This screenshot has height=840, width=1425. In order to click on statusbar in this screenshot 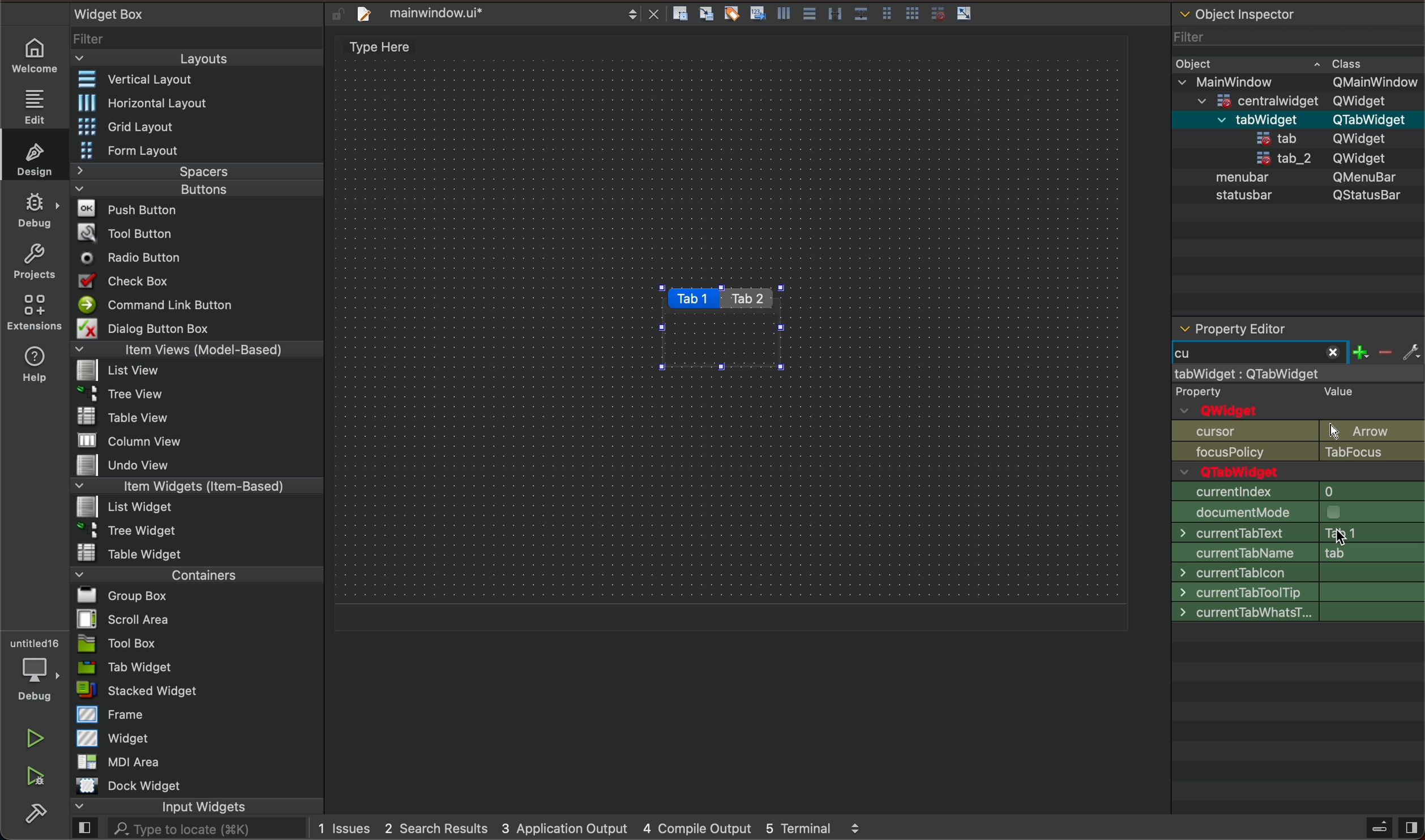, I will do `click(1247, 198)`.